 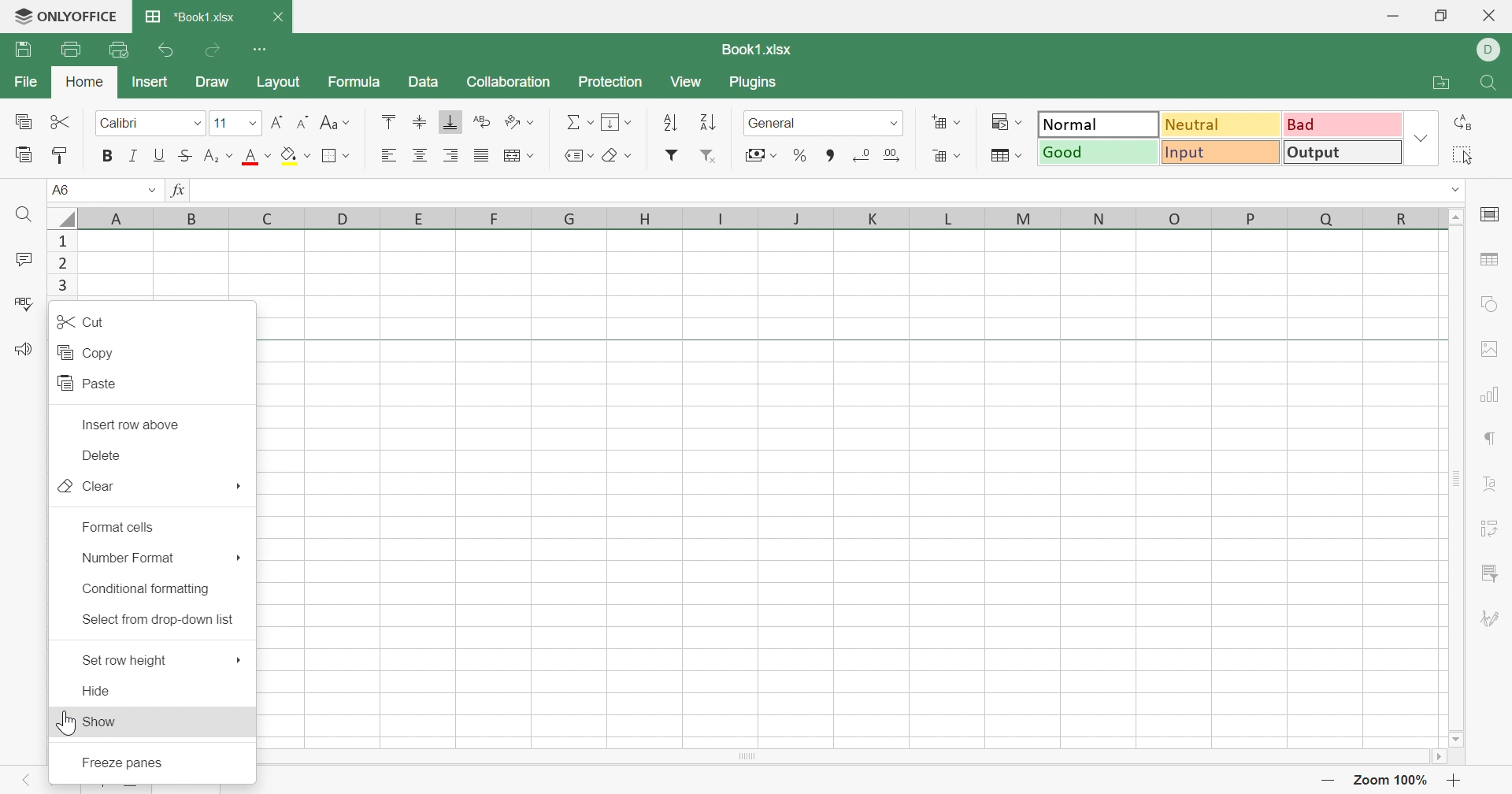 What do you see at coordinates (522, 119) in the screenshot?
I see `Orientation` at bounding box center [522, 119].